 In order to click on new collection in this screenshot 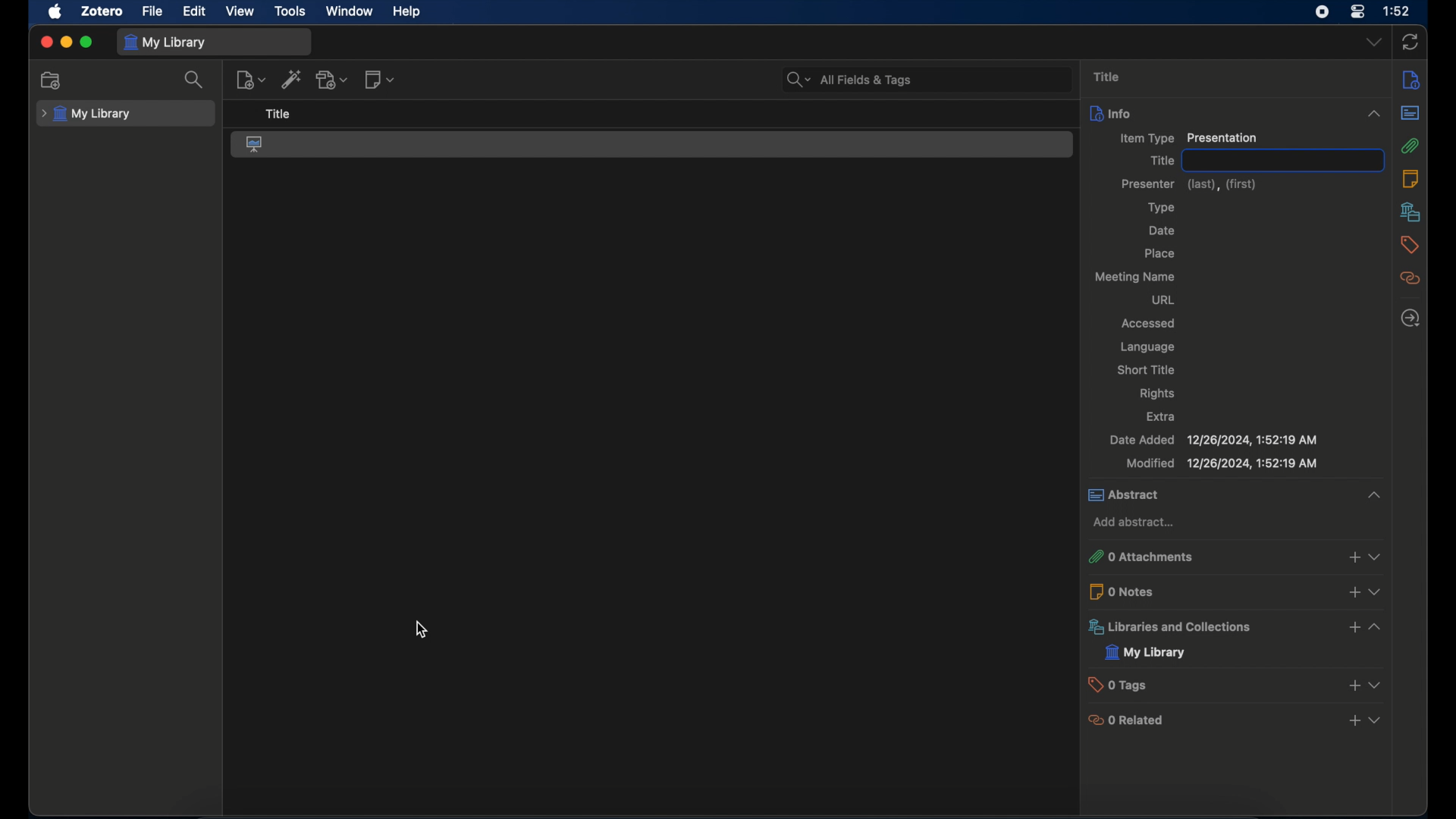, I will do `click(52, 80)`.